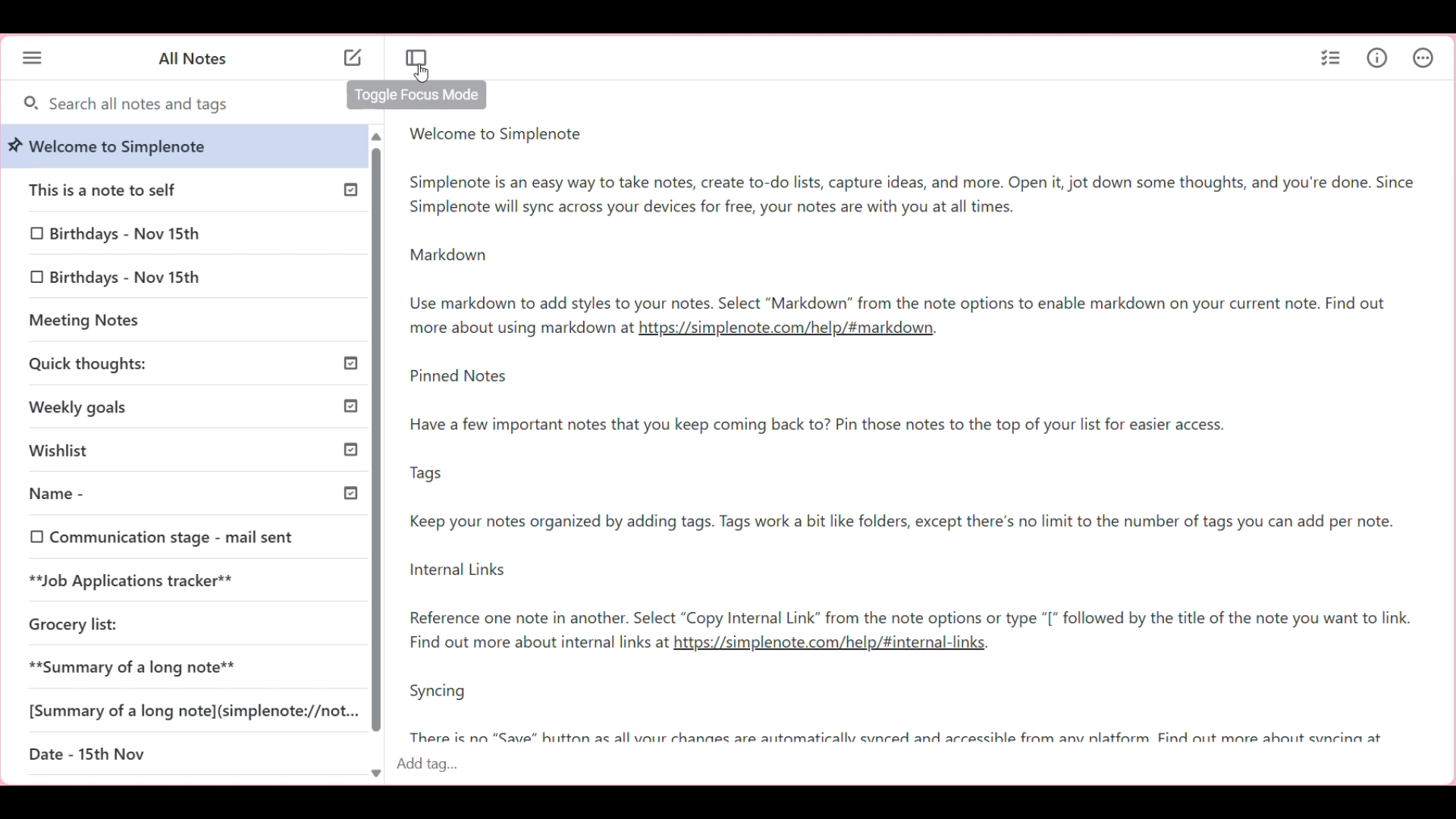  Describe the element at coordinates (416, 58) in the screenshot. I see `Toggle focus mode` at that location.